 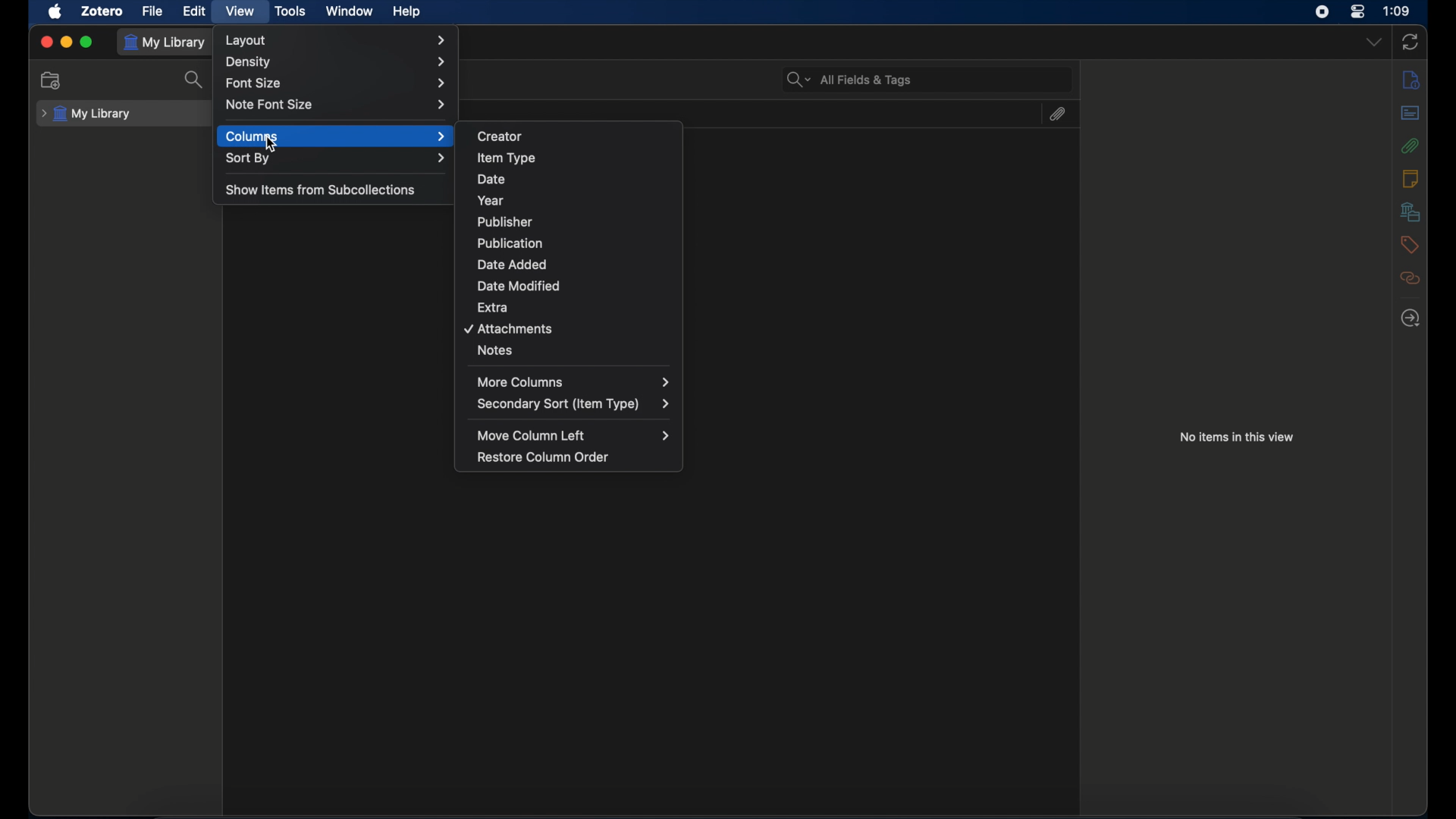 What do you see at coordinates (337, 84) in the screenshot?
I see `font size` at bounding box center [337, 84].